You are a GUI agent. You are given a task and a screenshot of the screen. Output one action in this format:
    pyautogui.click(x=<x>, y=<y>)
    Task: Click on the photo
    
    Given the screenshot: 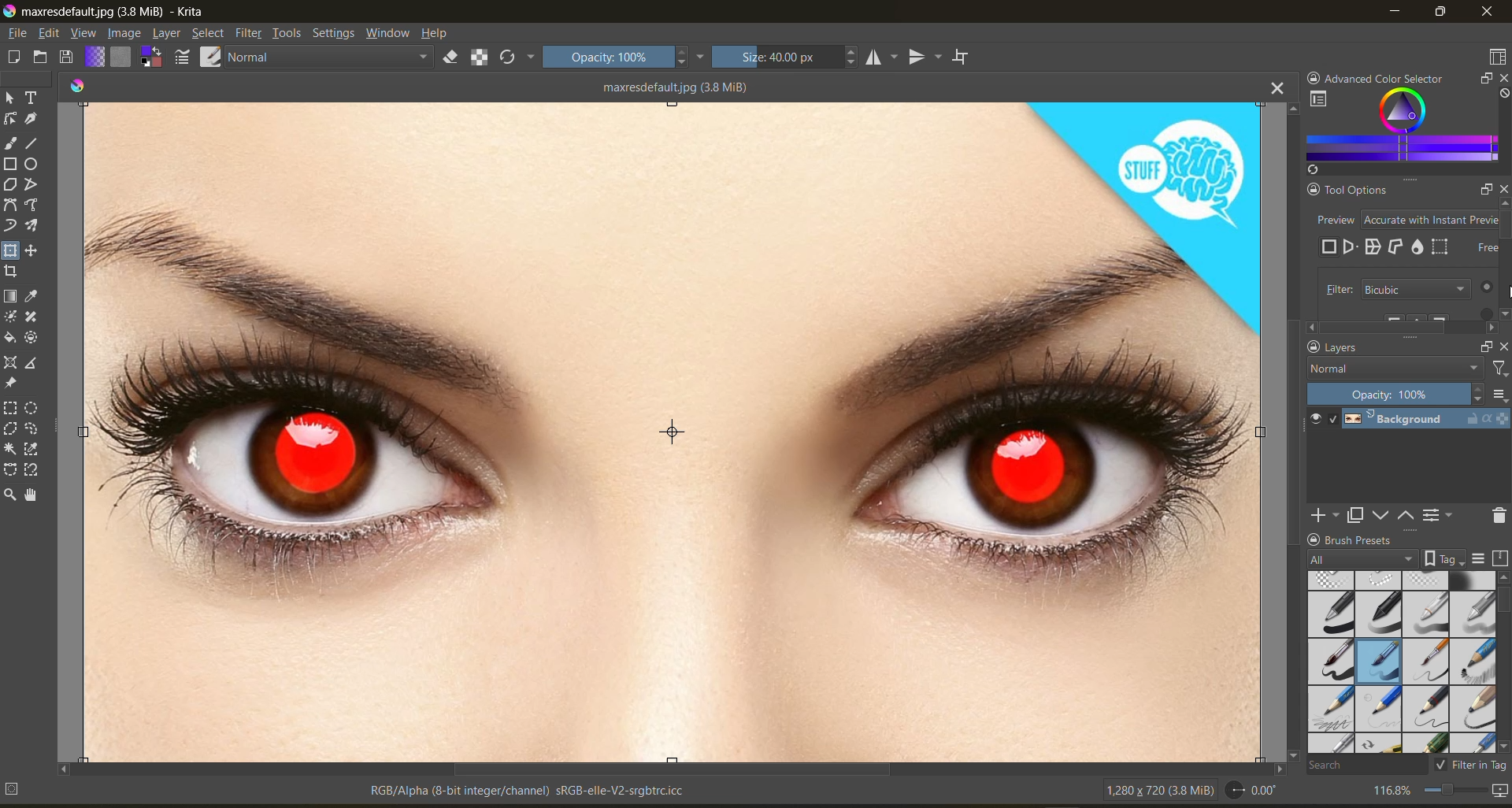 What is the action you would take?
    pyautogui.click(x=675, y=427)
    